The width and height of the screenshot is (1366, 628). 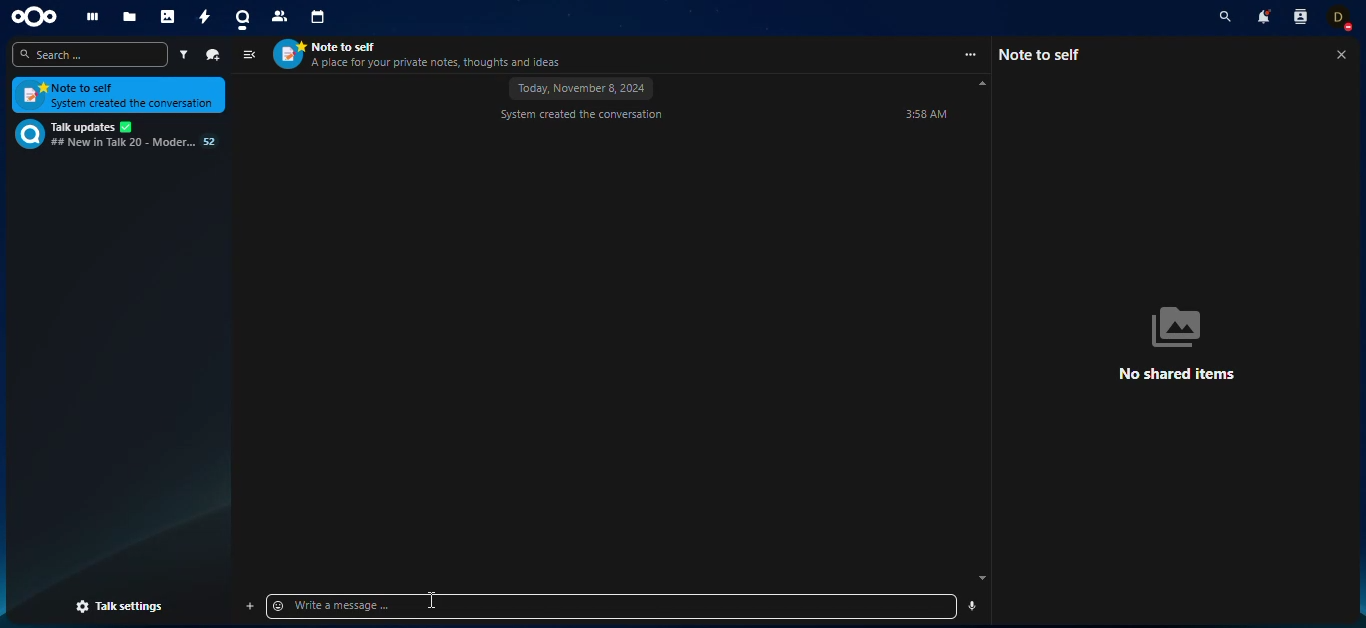 What do you see at coordinates (129, 17) in the screenshot?
I see `files` at bounding box center [129, 17].